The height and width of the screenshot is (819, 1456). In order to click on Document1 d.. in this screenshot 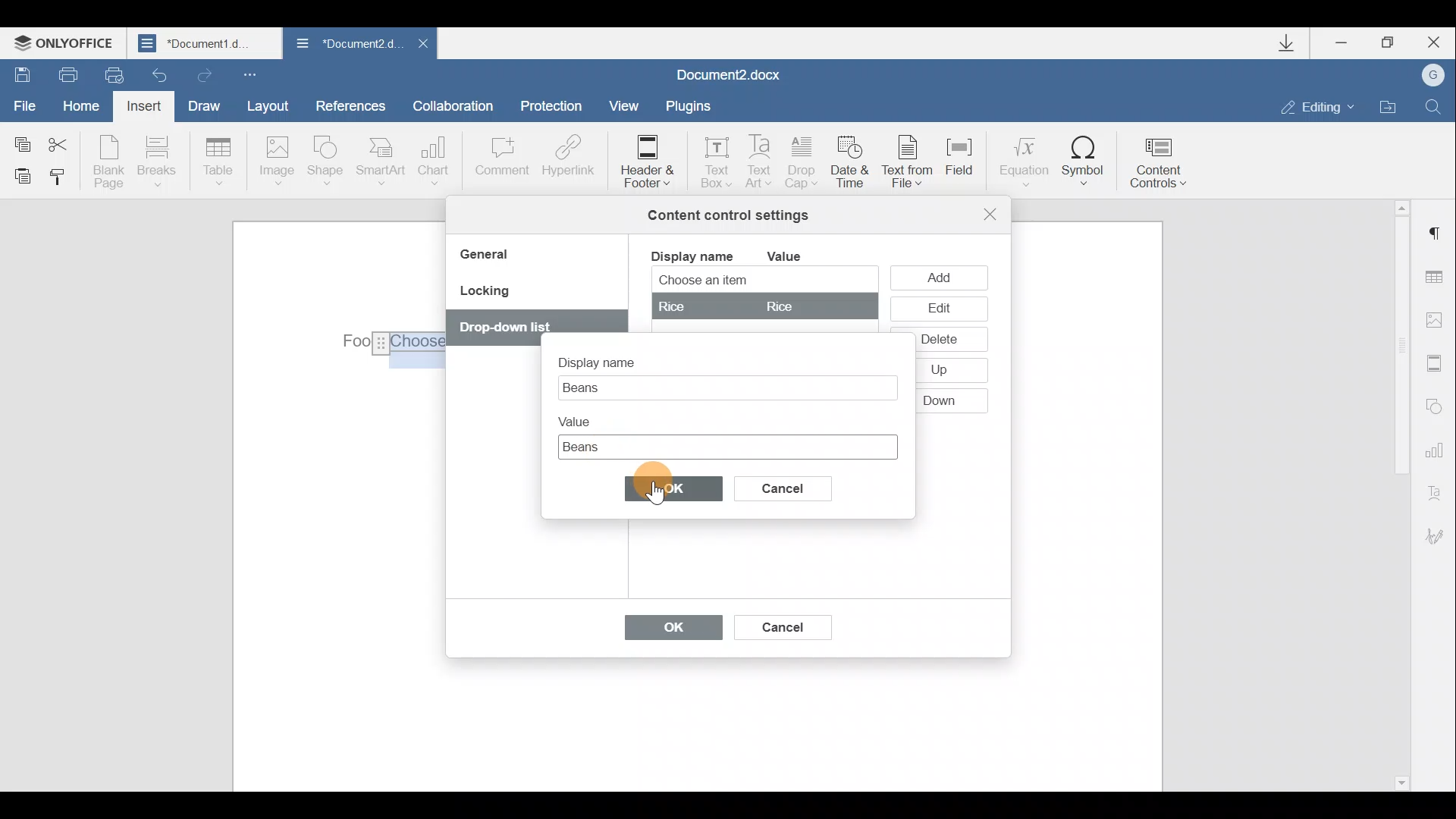, I will do `click(206, 42)`.